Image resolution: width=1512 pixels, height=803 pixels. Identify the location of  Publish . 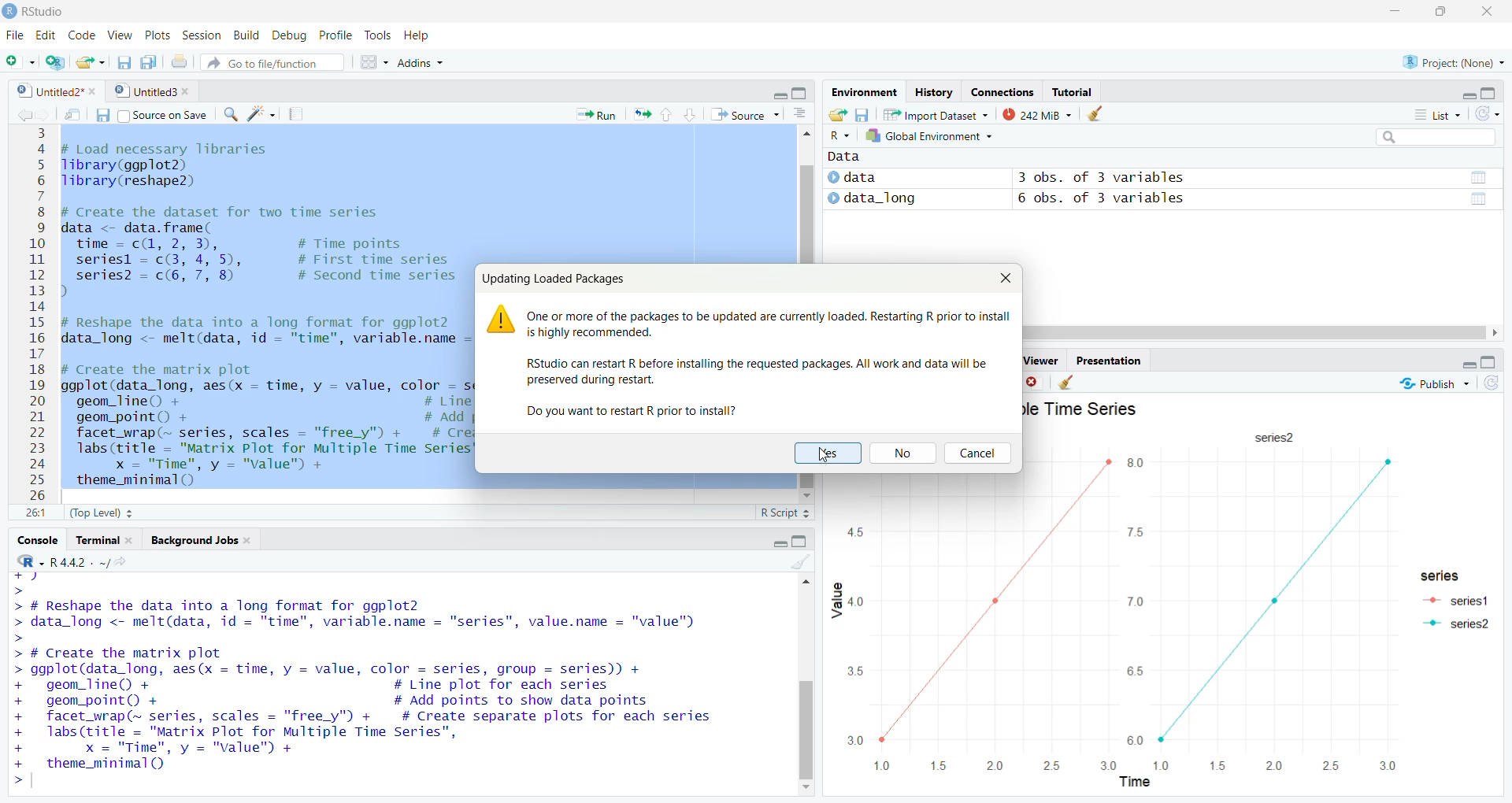
(1432, 383).